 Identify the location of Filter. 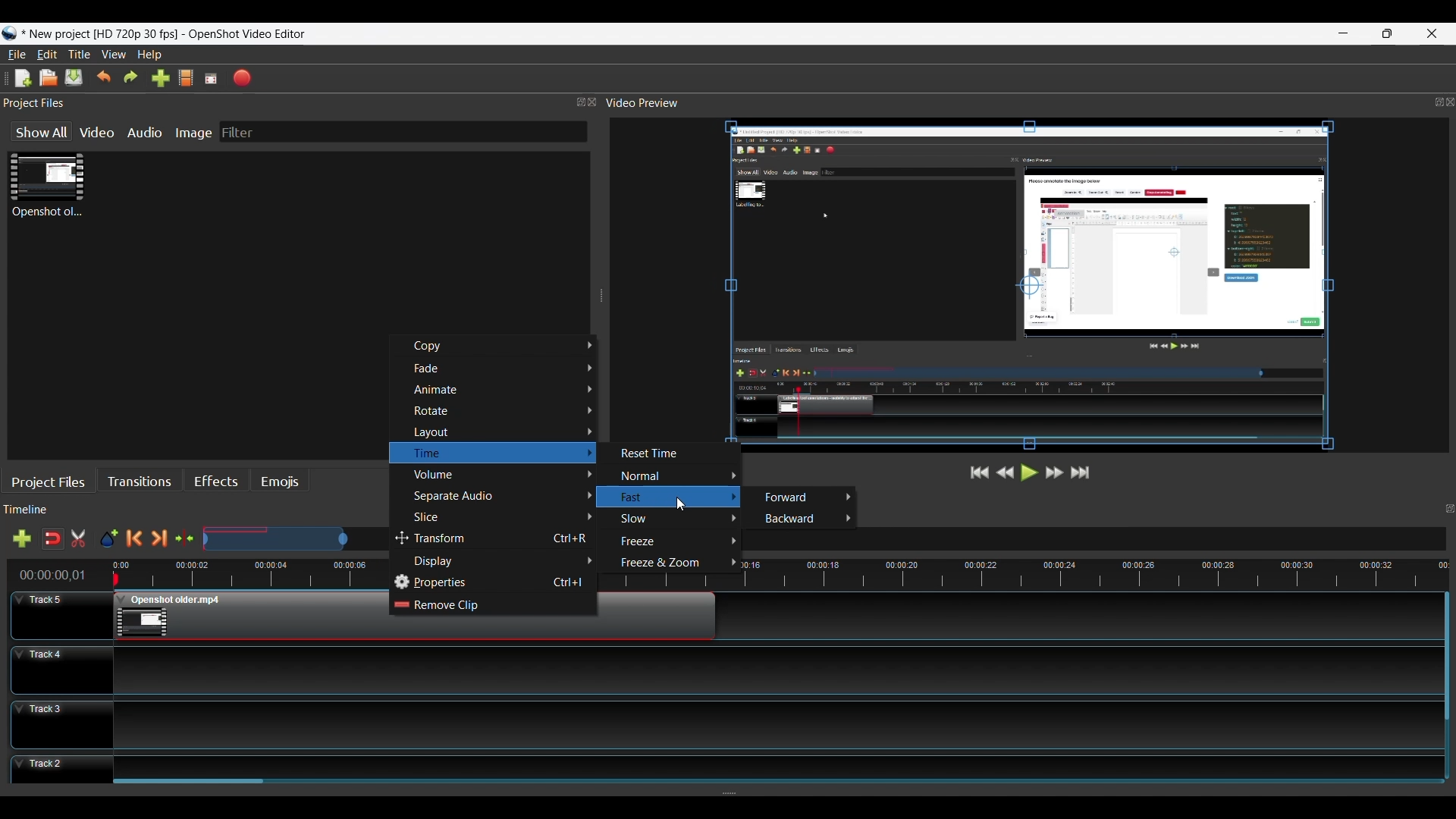
(237, 132).